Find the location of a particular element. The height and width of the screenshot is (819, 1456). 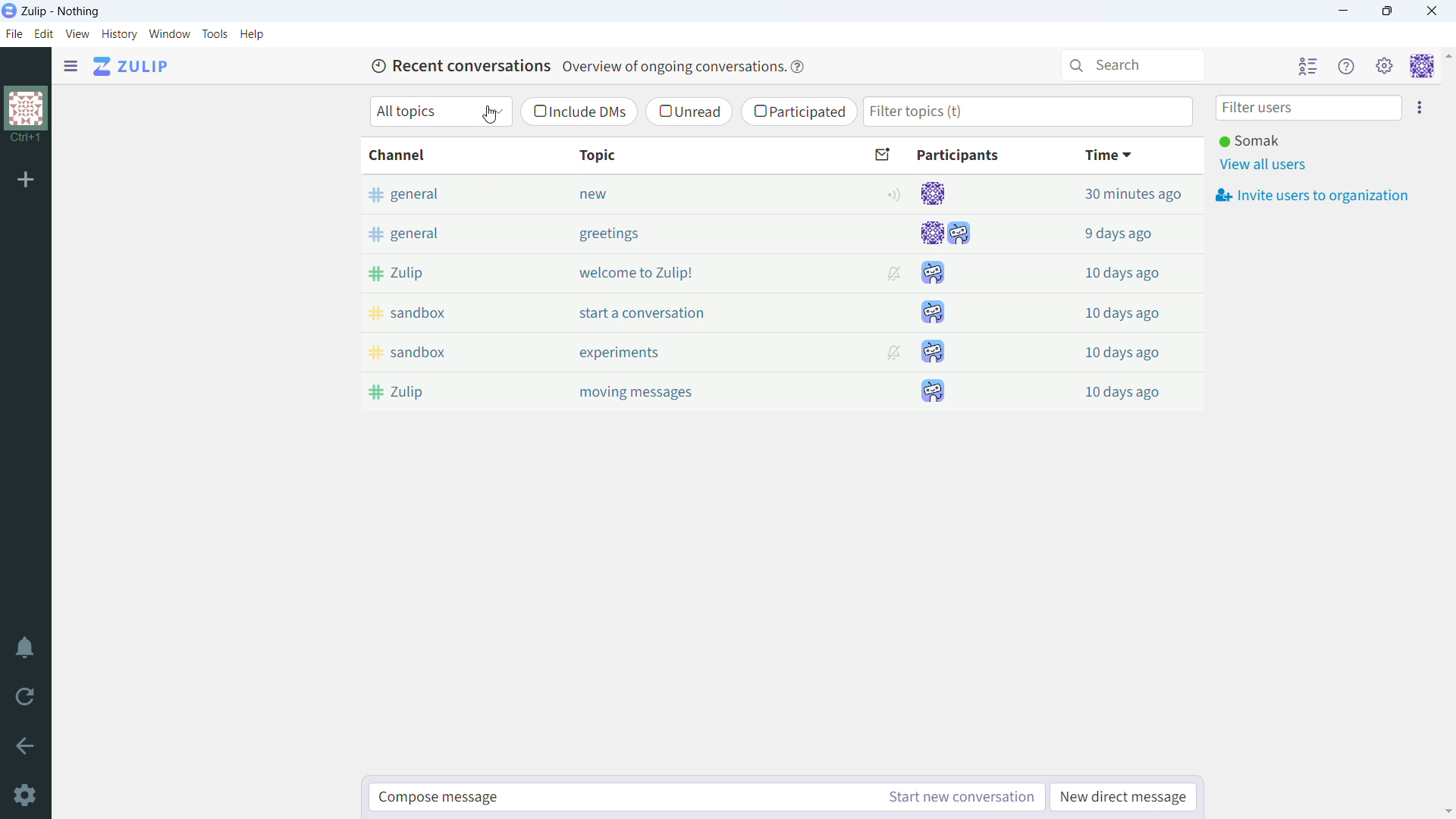

reload is located at coordinates (27, 697).